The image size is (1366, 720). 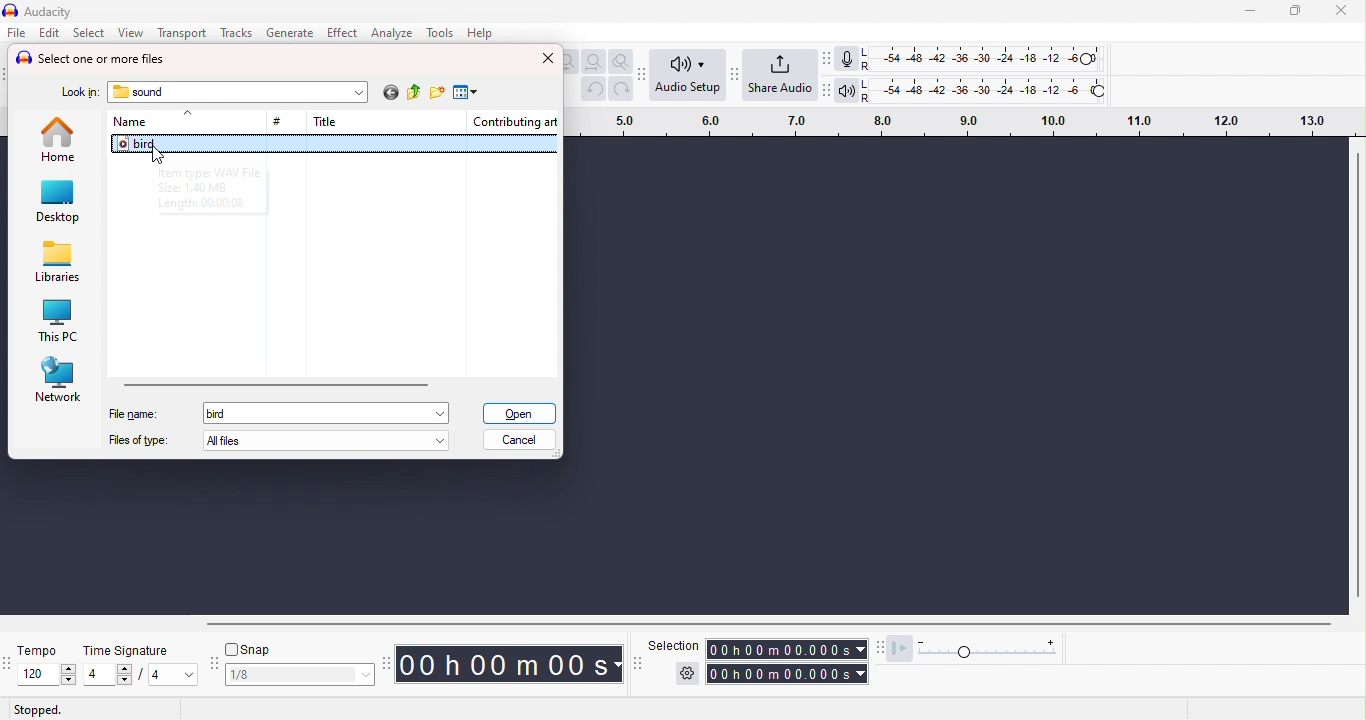 I want to click on vertical scroll bar, so click(x=1357, y=374).